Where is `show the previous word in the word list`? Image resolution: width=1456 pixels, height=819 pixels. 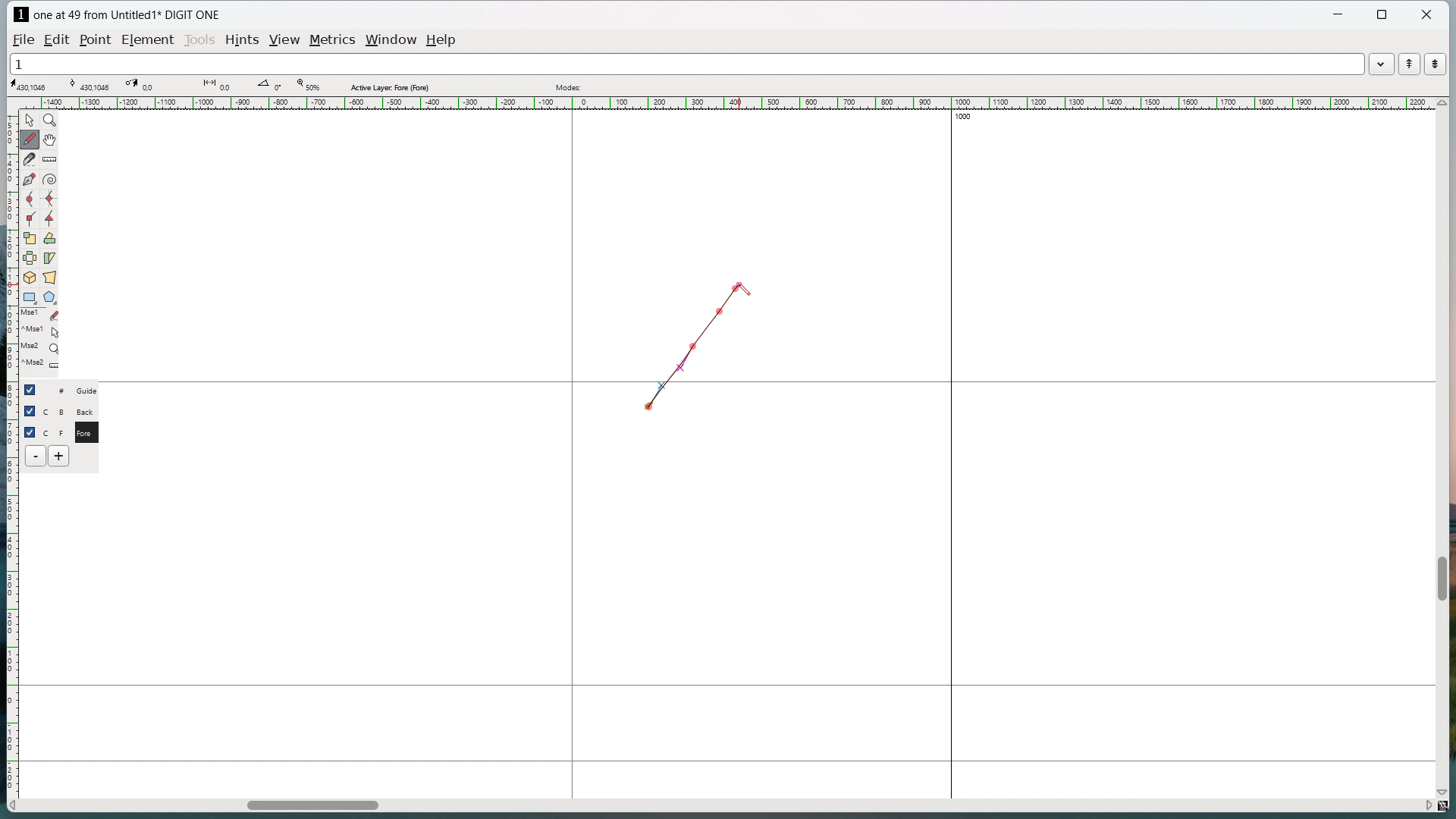
show the previous word in the word list is located at coordinates (1409, 64).